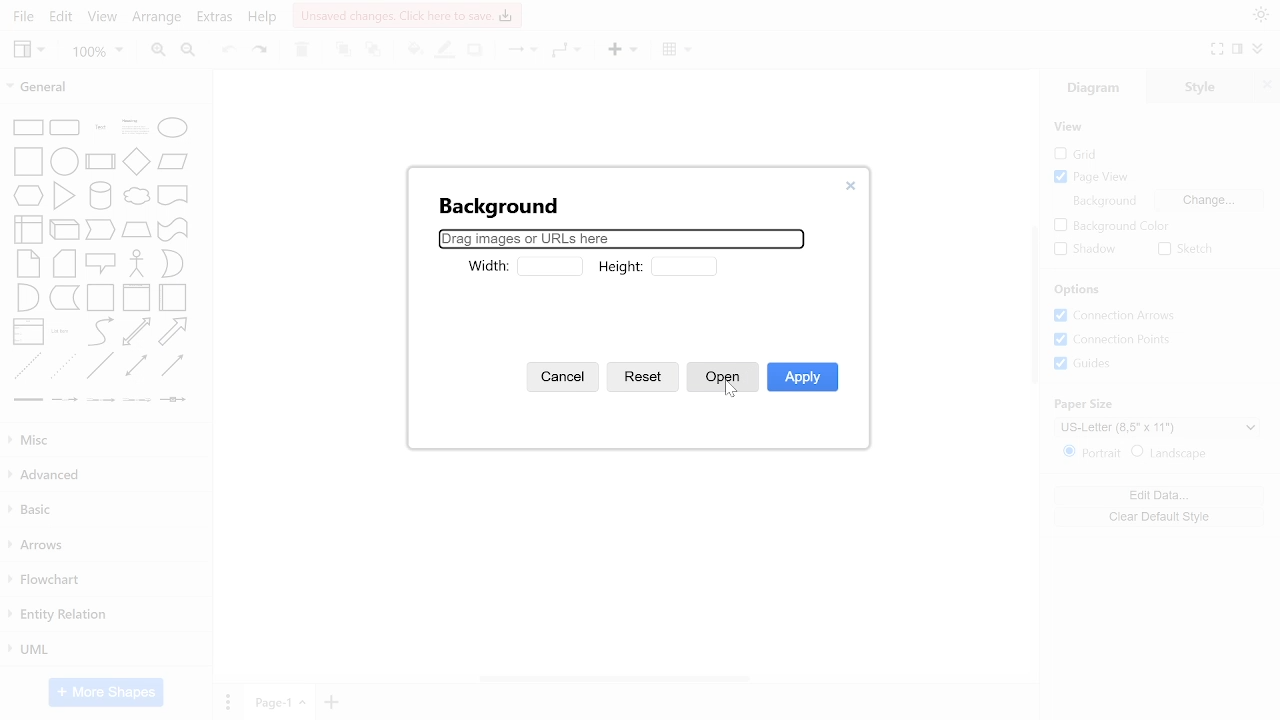 The width and height of the screenshot is (1280, 720). I want to click on general shapes, so click(98, 262).